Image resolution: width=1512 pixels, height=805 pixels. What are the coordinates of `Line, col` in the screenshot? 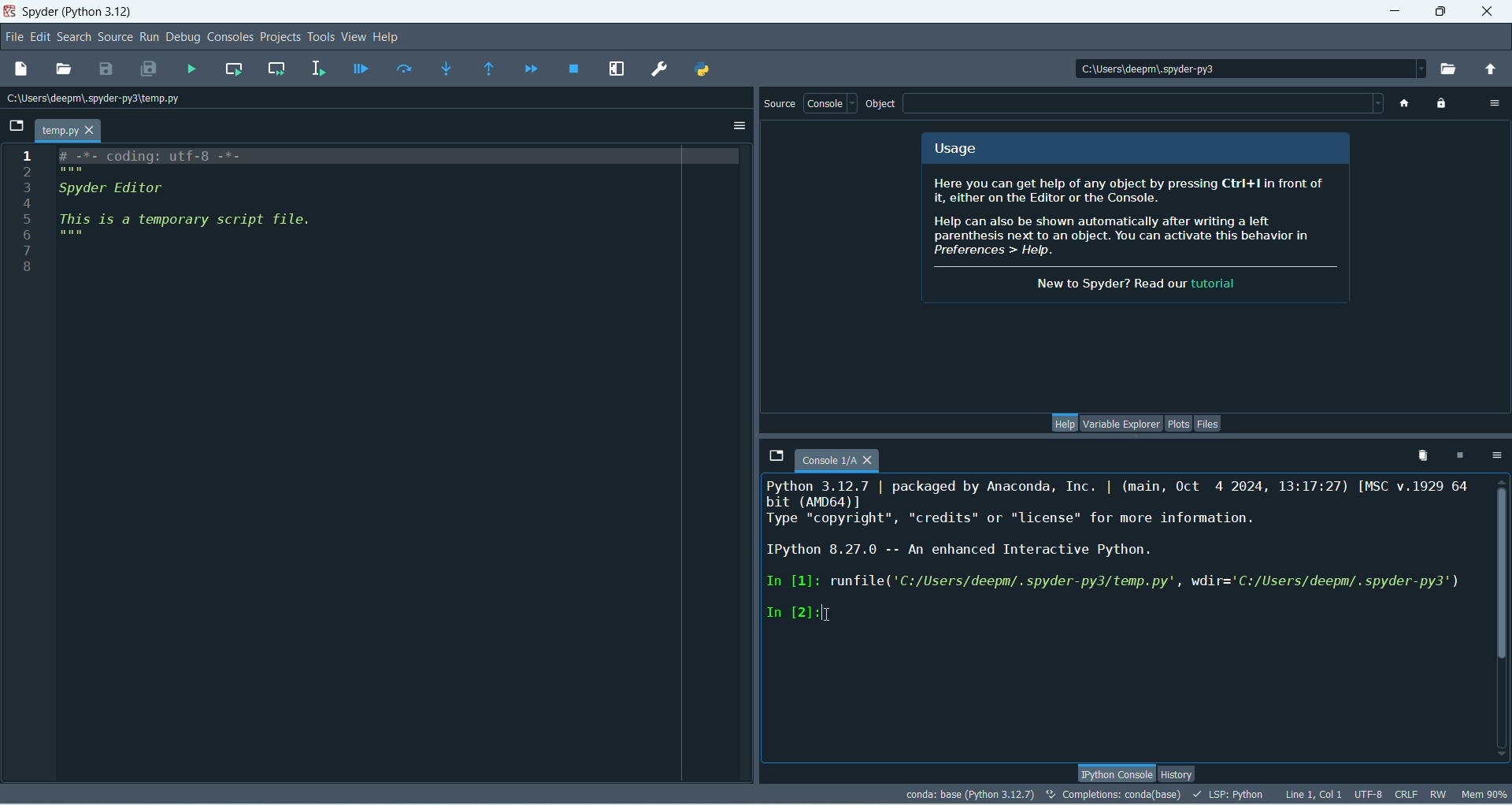 It's located at (1313, 792).